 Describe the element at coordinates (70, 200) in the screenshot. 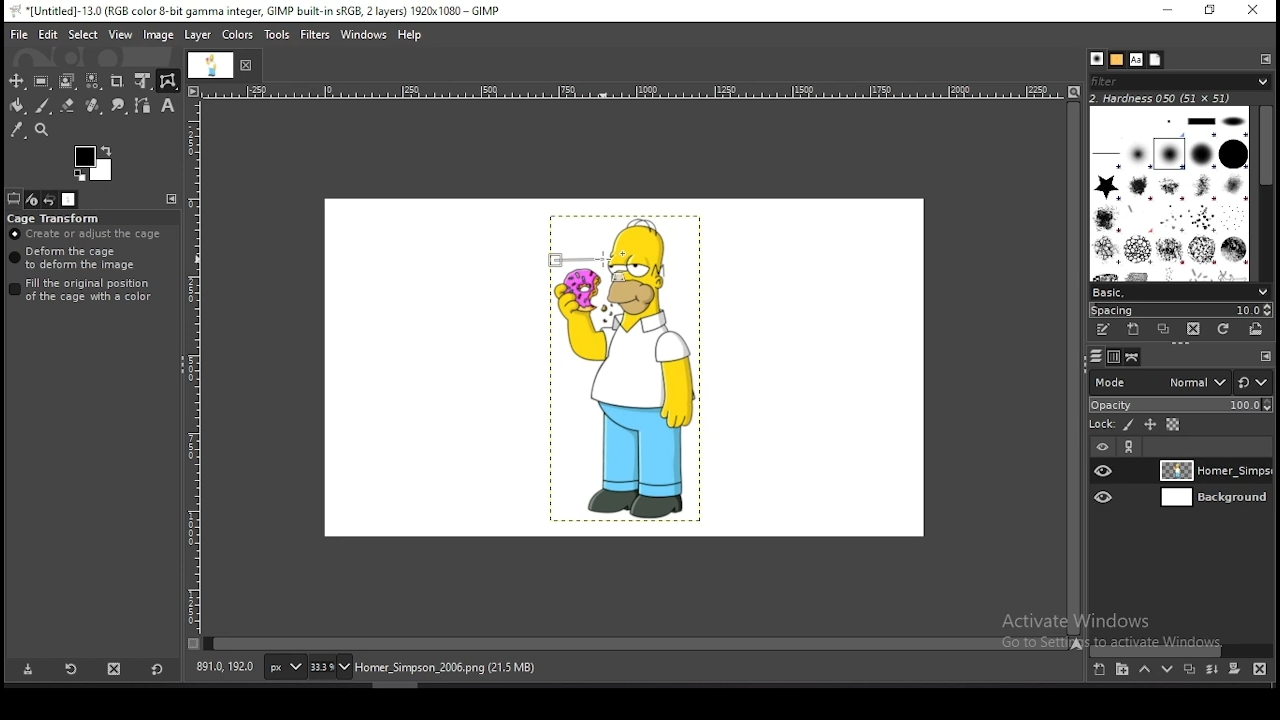

I see `images` at that location.